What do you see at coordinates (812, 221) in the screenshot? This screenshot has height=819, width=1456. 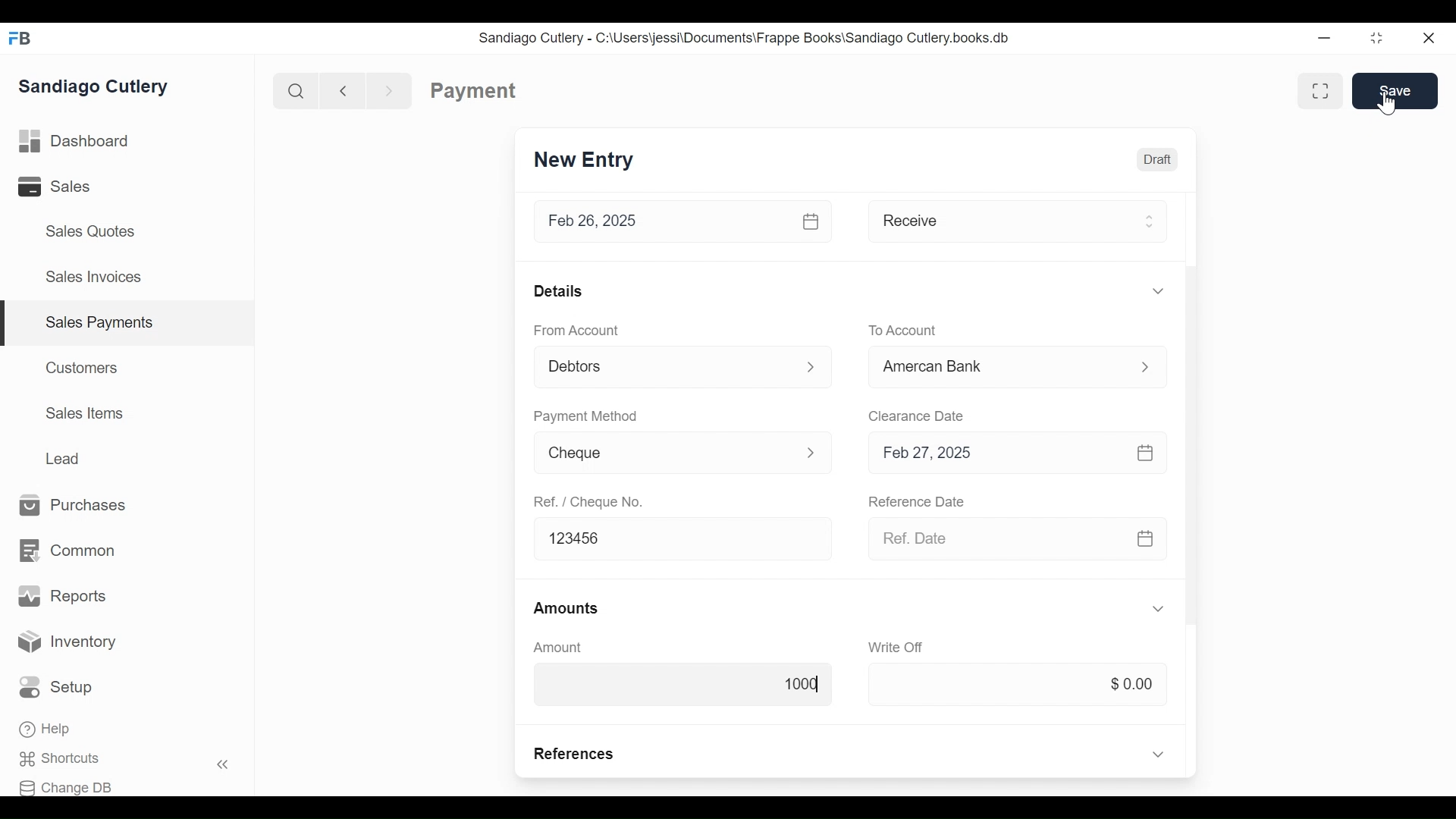 I see `Calendar` at bounding box center [812, 221].